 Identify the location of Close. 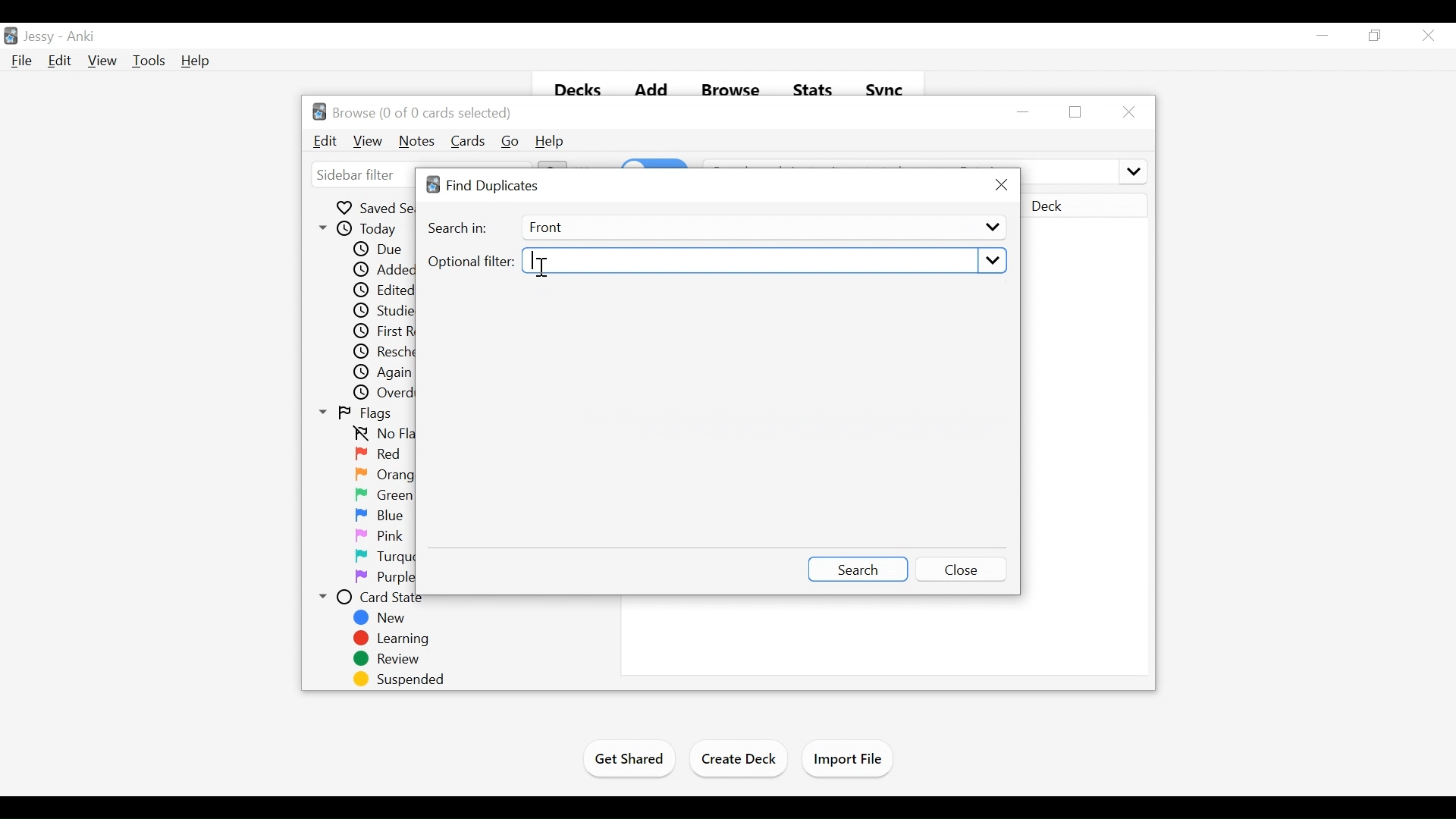
(1000, 185).